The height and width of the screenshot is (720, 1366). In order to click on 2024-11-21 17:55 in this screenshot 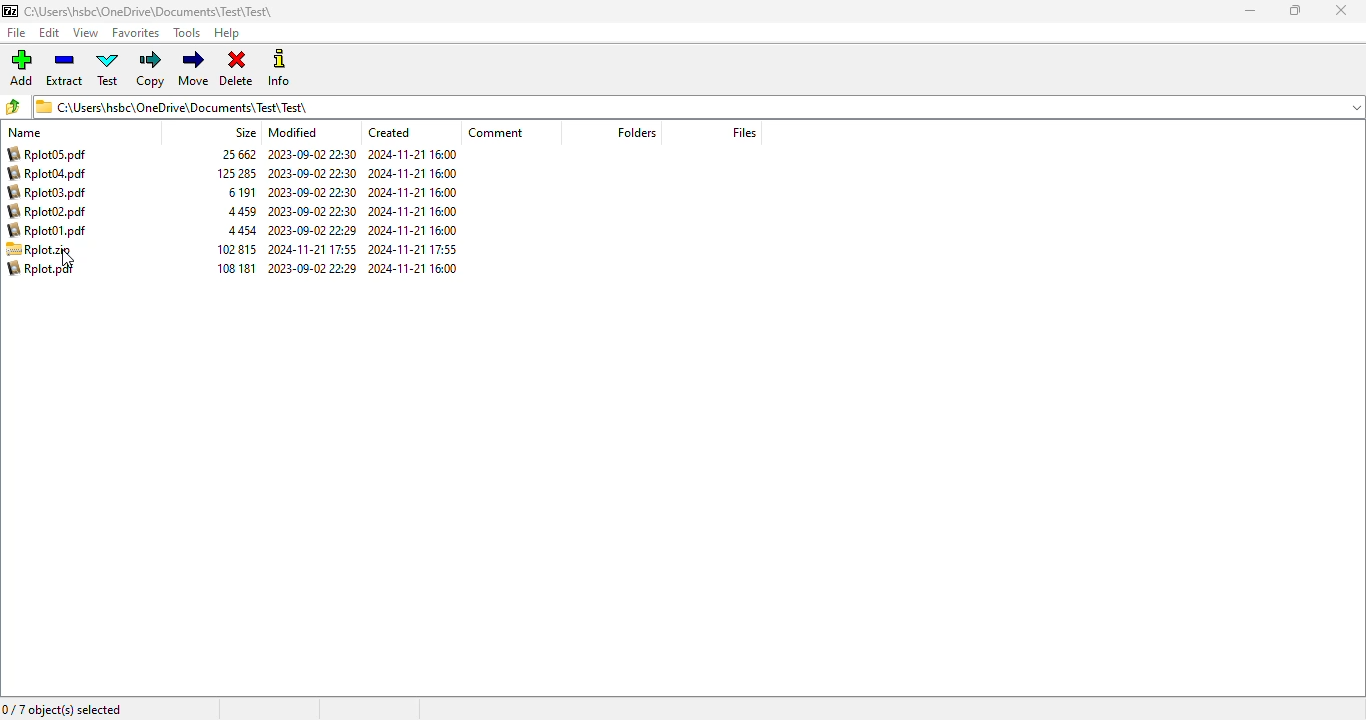, I will do `click(414, 248)`.